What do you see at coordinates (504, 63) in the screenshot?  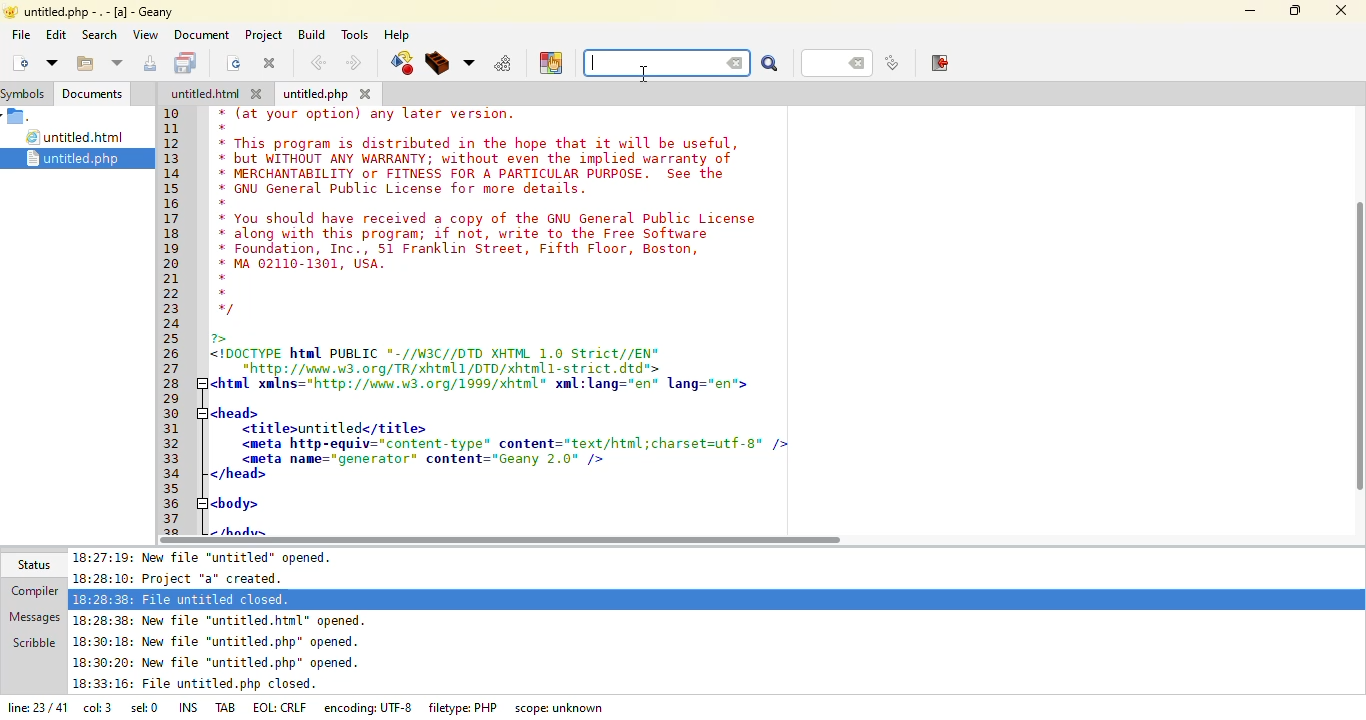 I see `run or view` at bounding box center [504, 63].